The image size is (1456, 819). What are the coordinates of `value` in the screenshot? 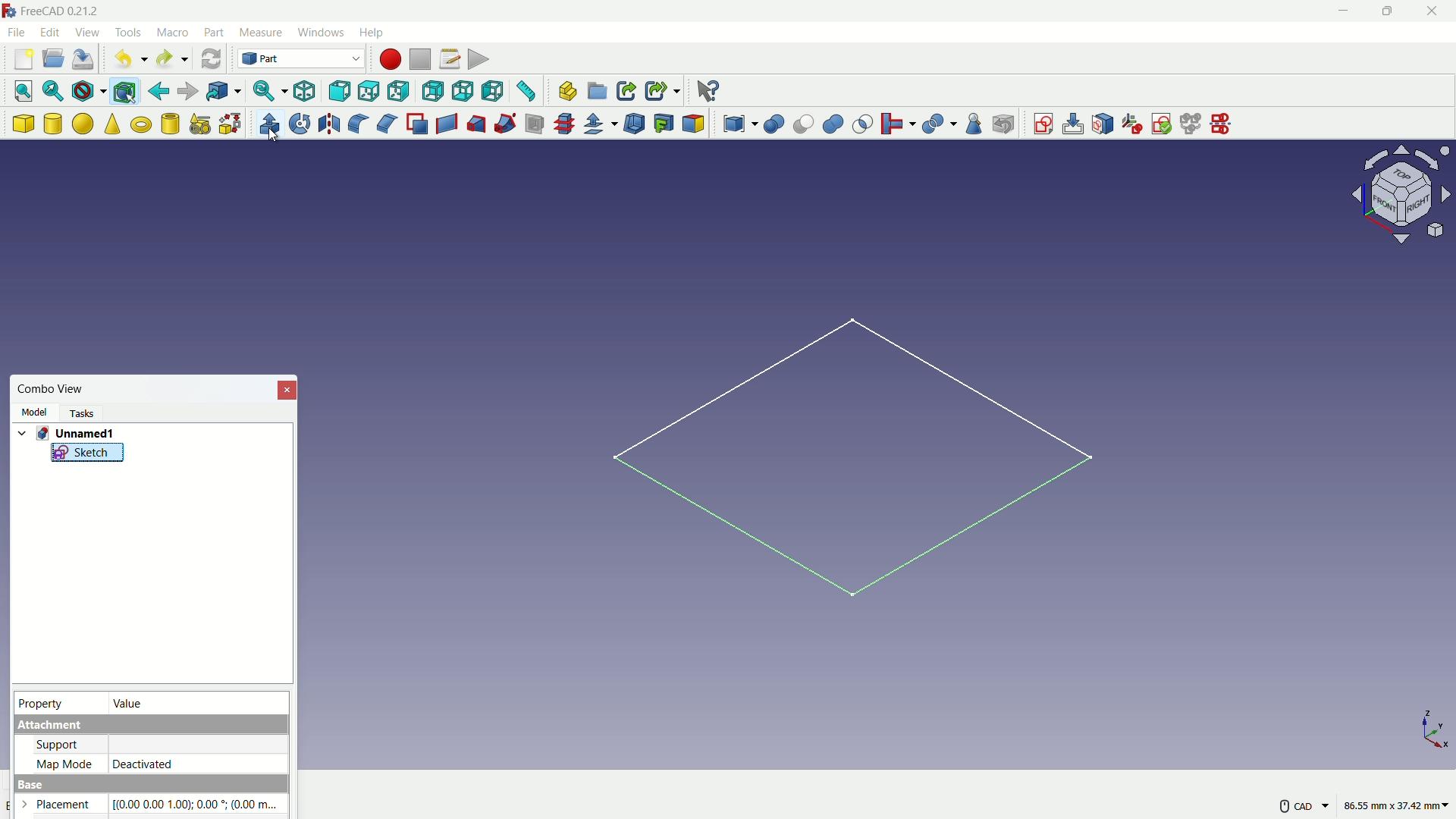 It's located at (130, 704).